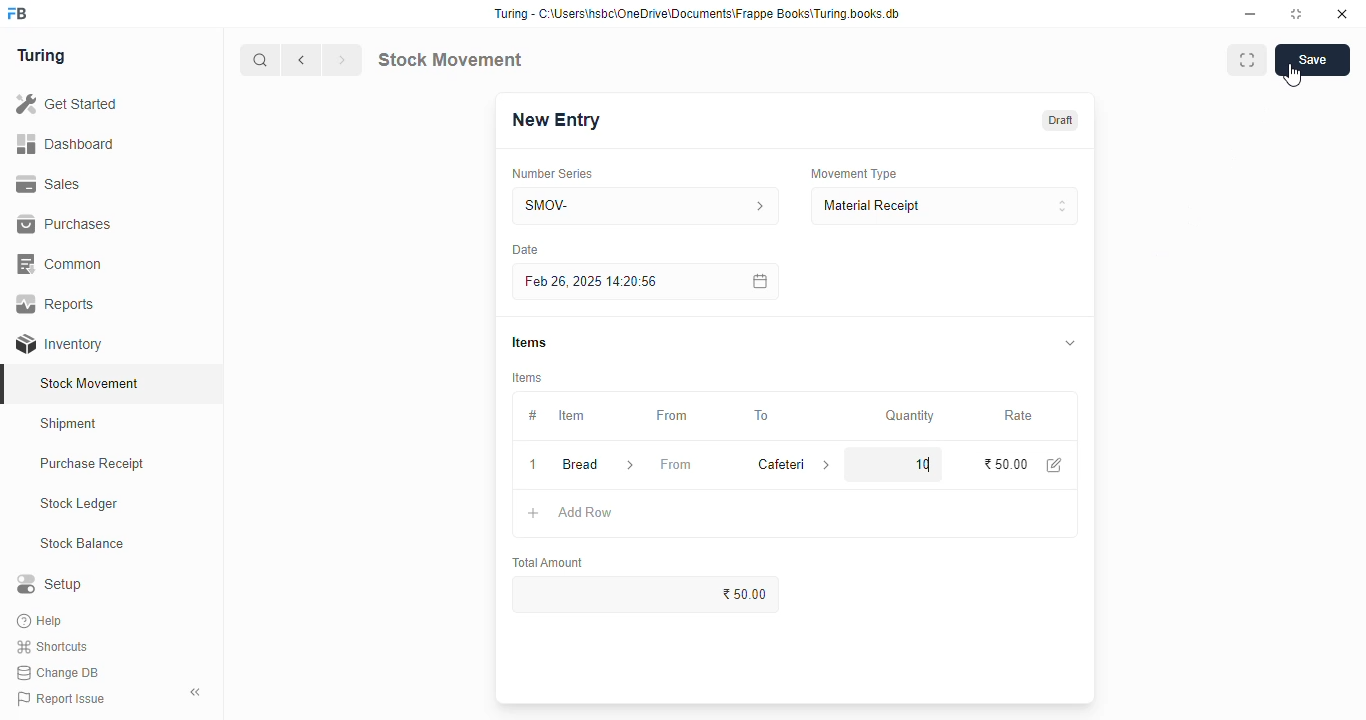 The height and width of the screenshot is (720, 1366). Describe the element at coordinates (80, 504) in the screenshot. I see `stock ledger` at that location.